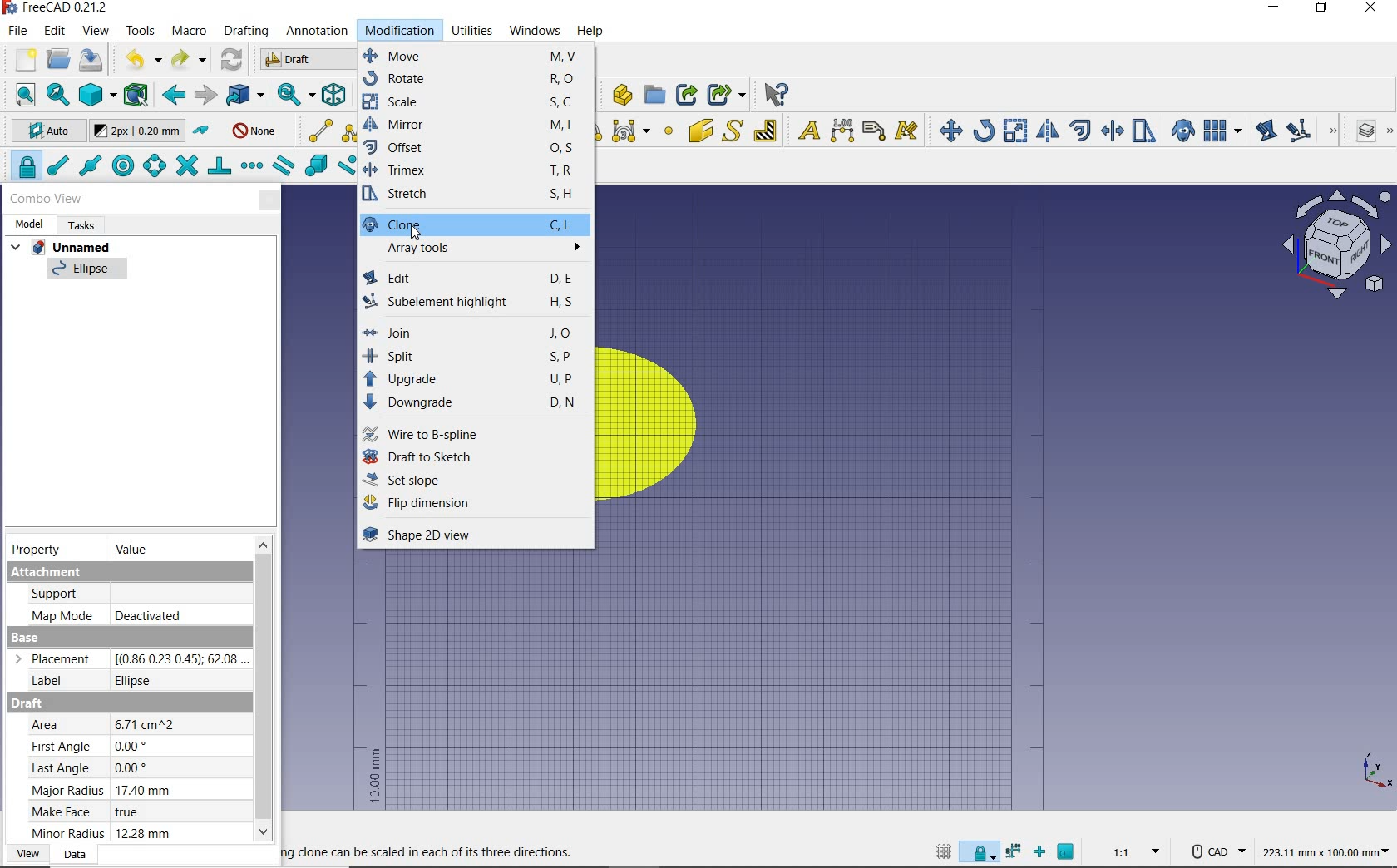  I want to click on flip dimension, so click(476, 506).